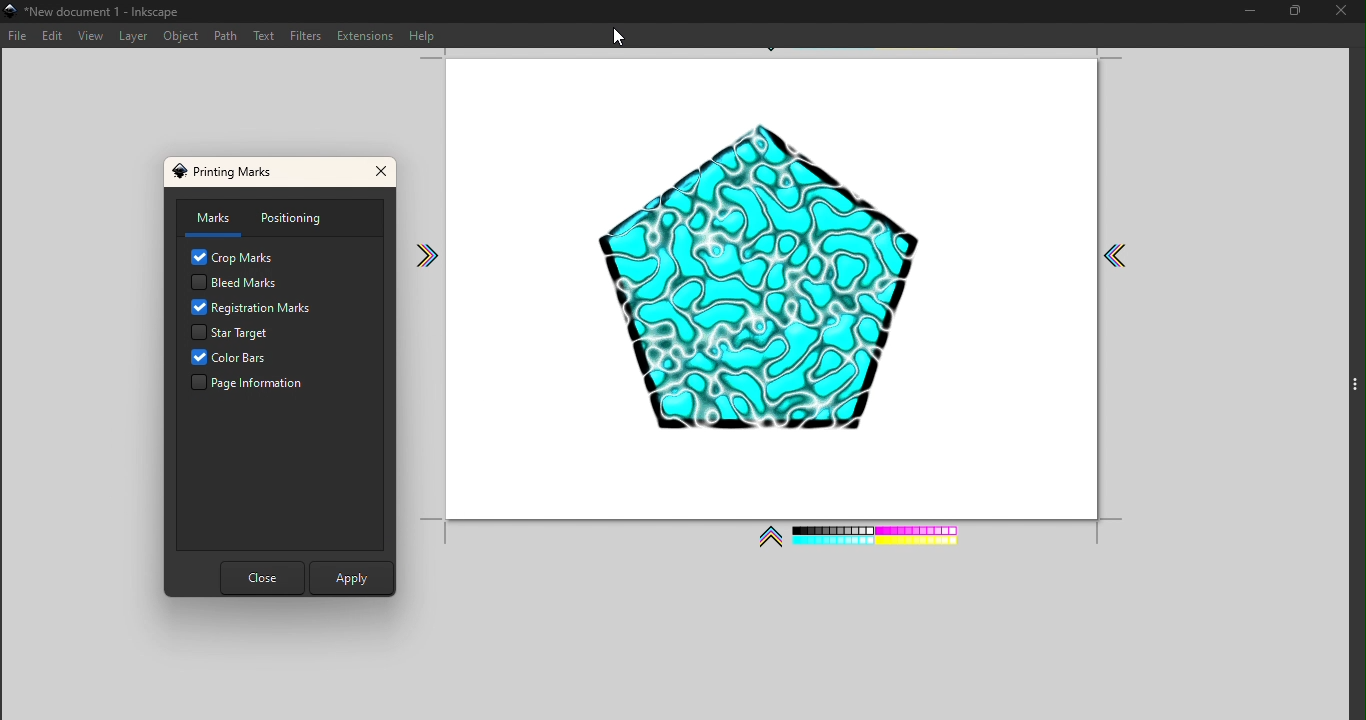  I want to click on Positioning, so click(302, 218).